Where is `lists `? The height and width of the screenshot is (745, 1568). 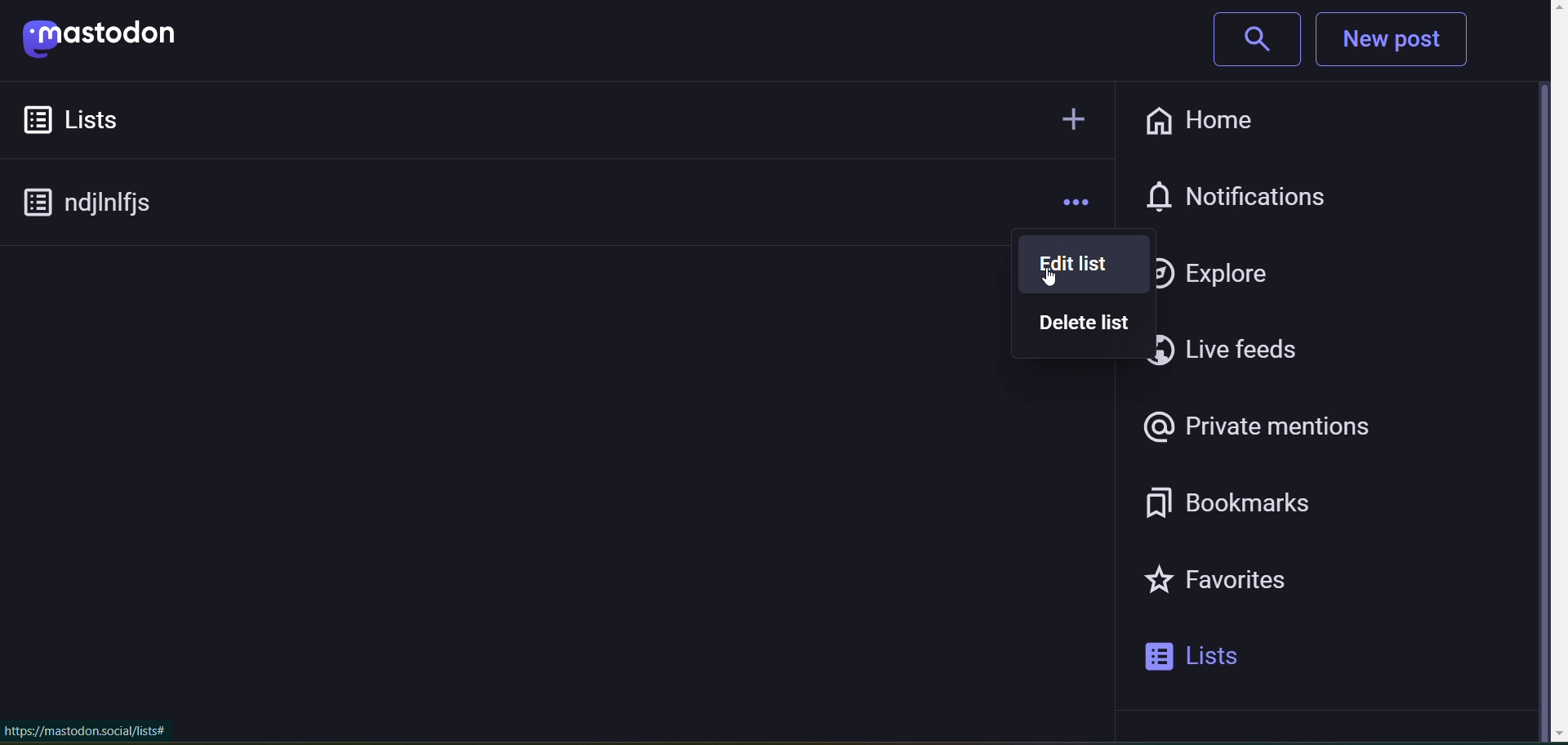 lists  is located at coordinates (97, 119).